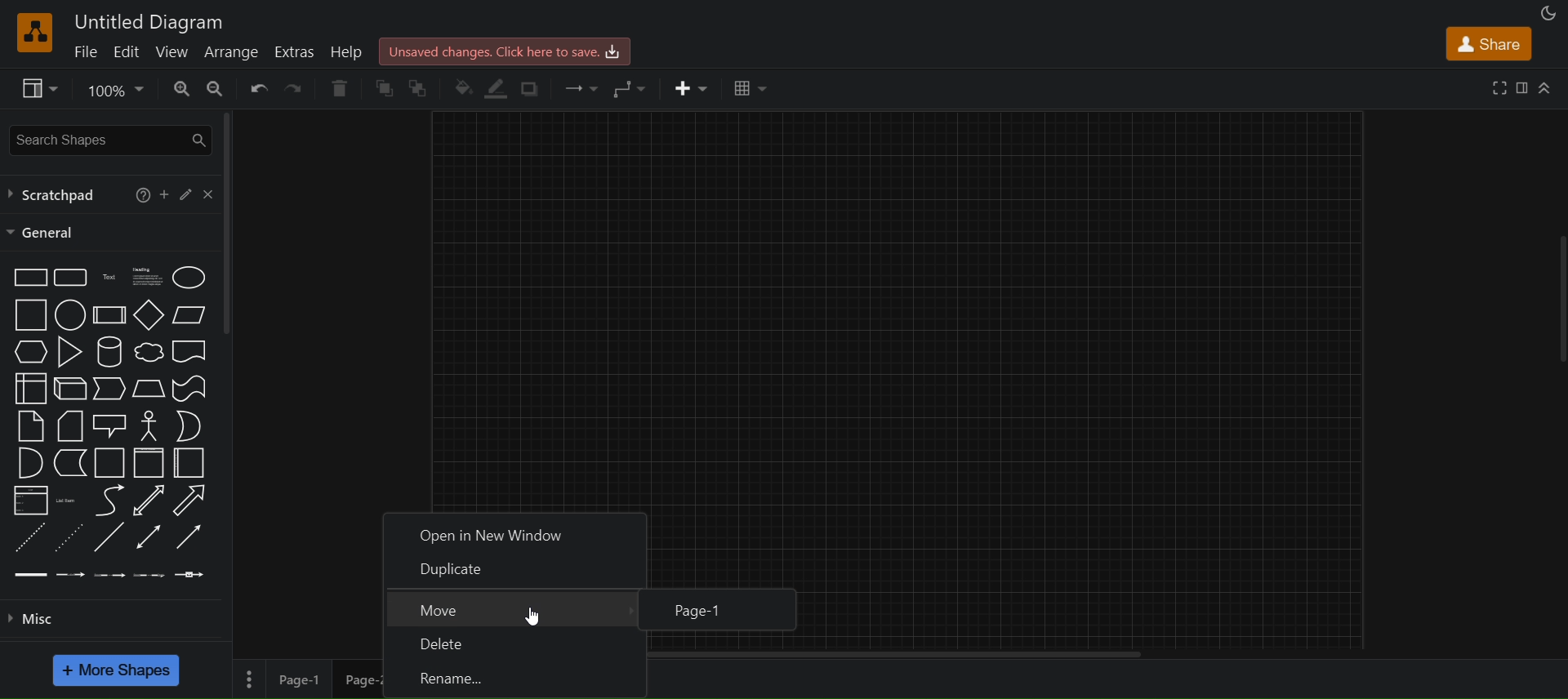  What do you see at coordinates (28, 387) in the screenshot?
I see `internal storage` at bounding box center [28, 387].